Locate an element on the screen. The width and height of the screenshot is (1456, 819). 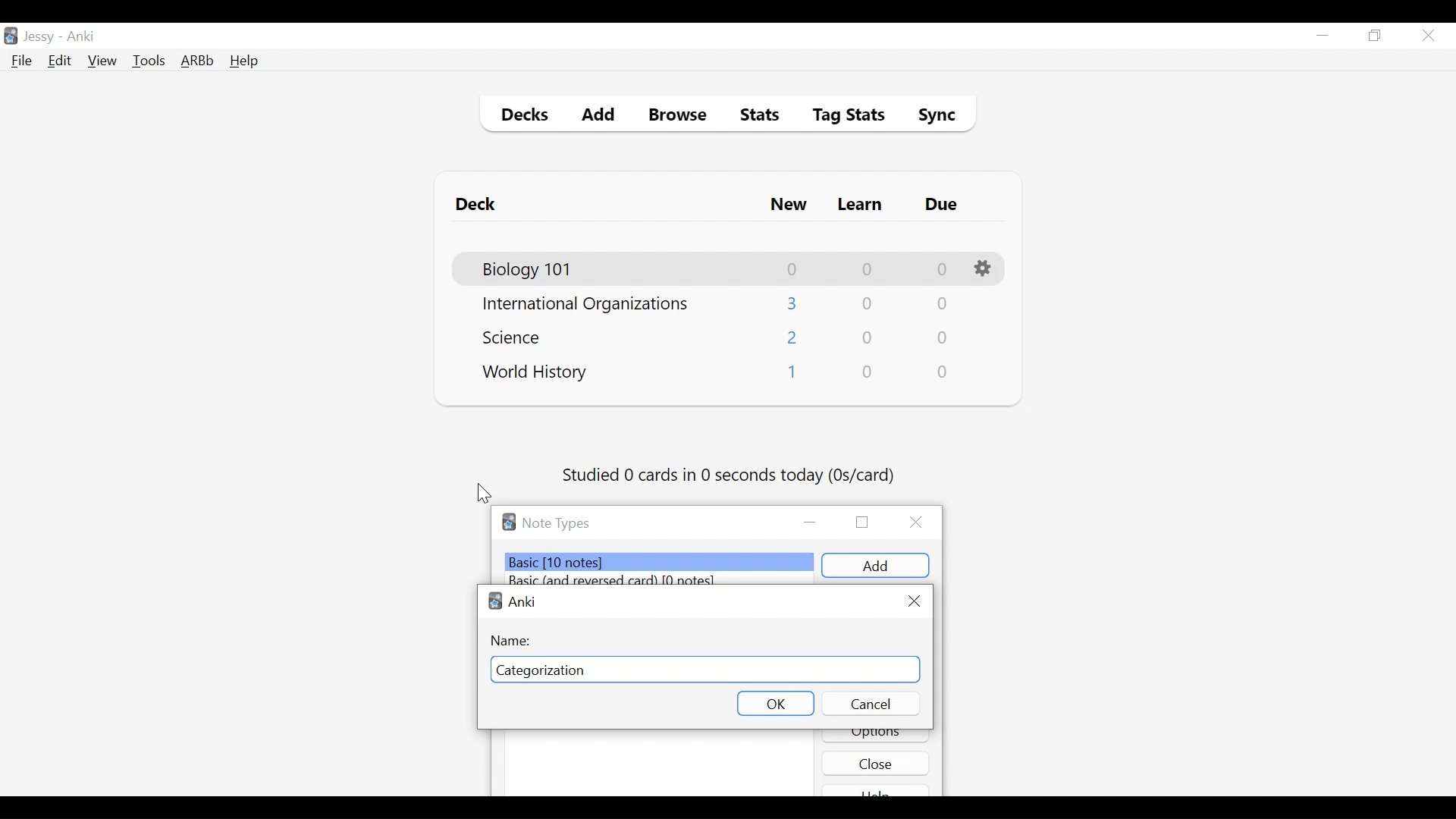
Learn Card Count is located at coordinates (868, 338).